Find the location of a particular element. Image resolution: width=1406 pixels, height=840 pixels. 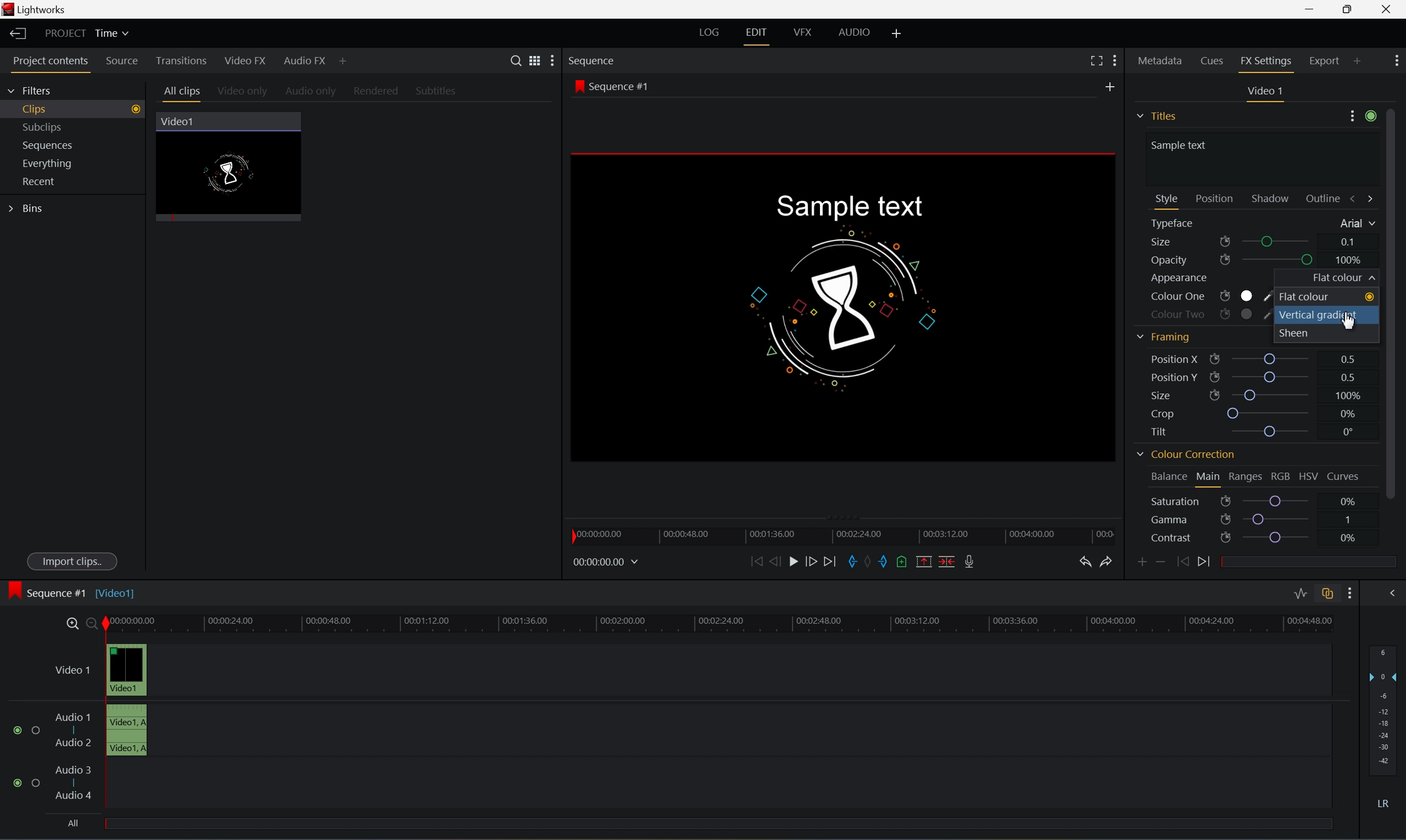

more is located at coordinates (1397, 59).